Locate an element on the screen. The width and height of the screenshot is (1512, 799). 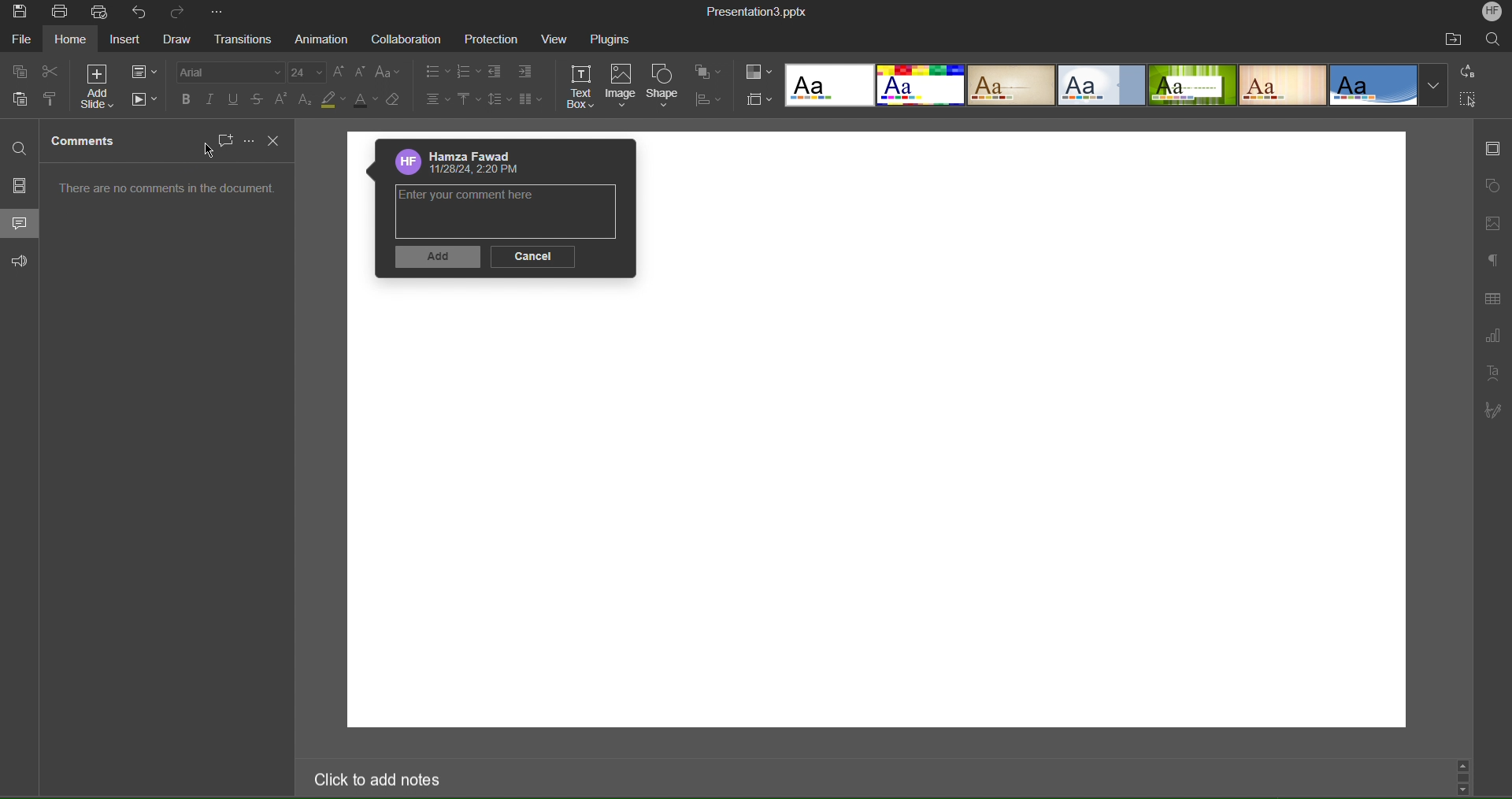
Bold is located at coordinates (188, 99).